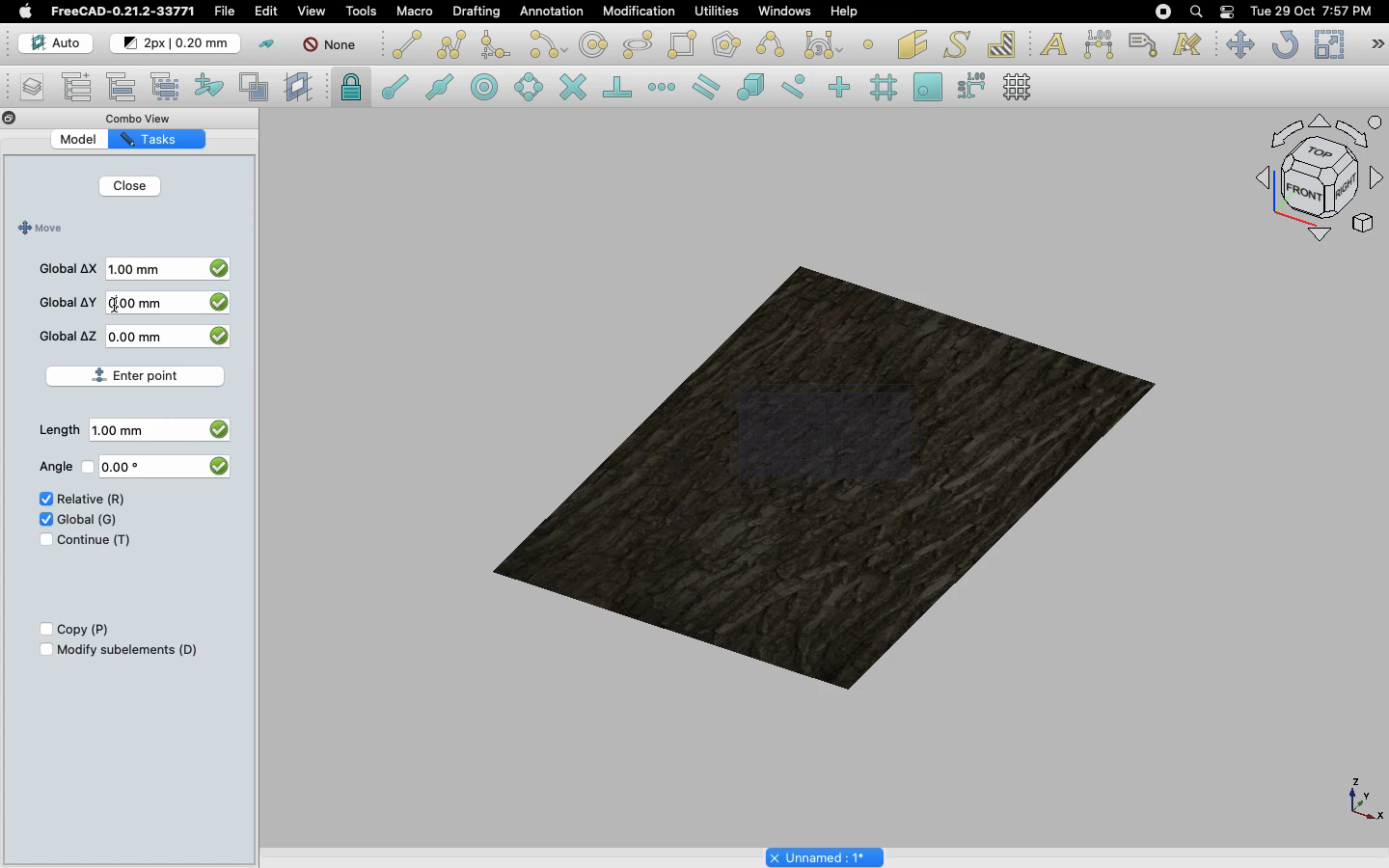 This screenshot has height=868, width=1389. Describe the element at coordinates (494, 47) in the screenshot. I see `Fillet` at that location.